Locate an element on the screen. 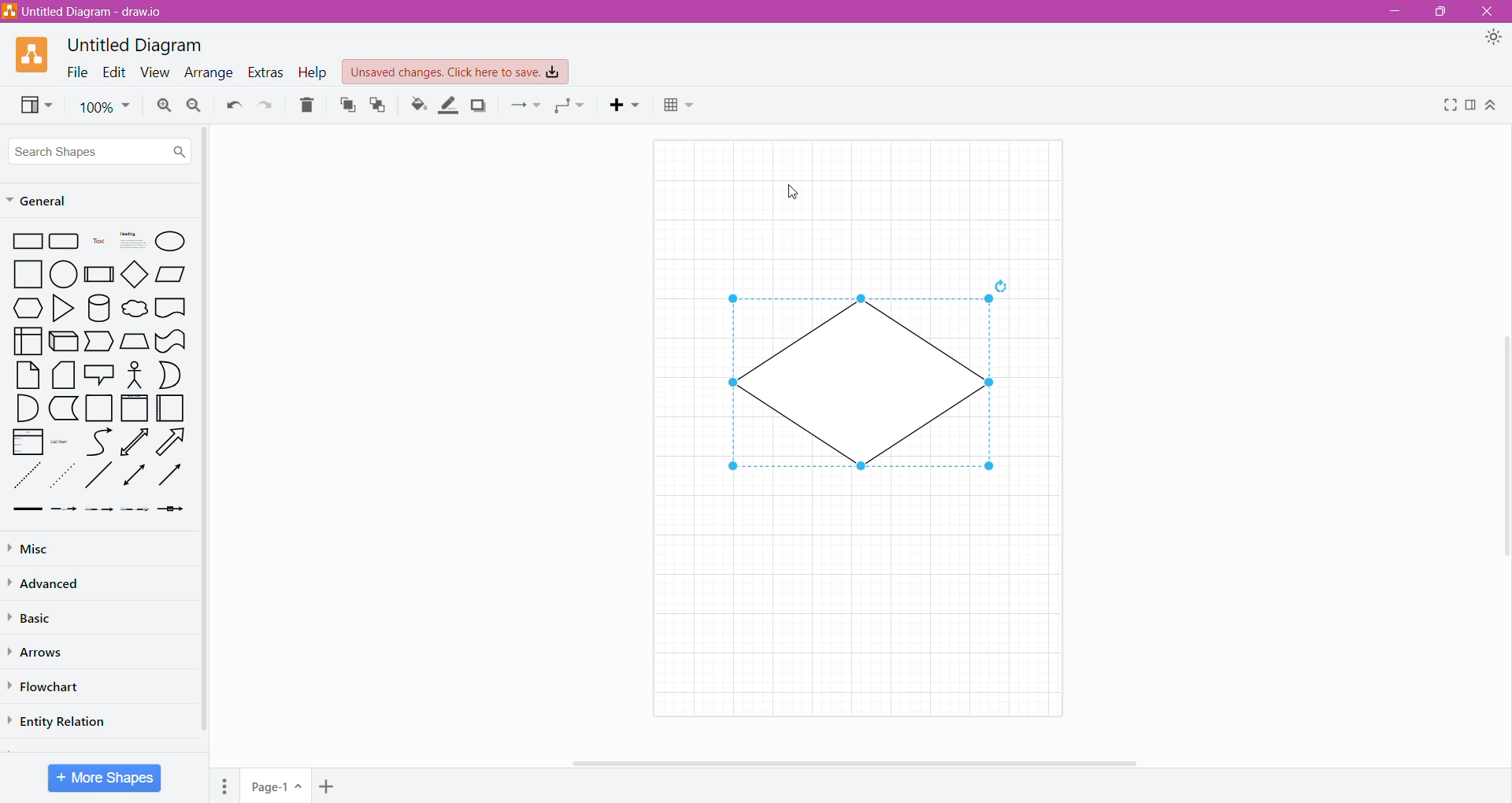 This screenshot has width=1512, height=803. Square is located at coordinates (28, 274).